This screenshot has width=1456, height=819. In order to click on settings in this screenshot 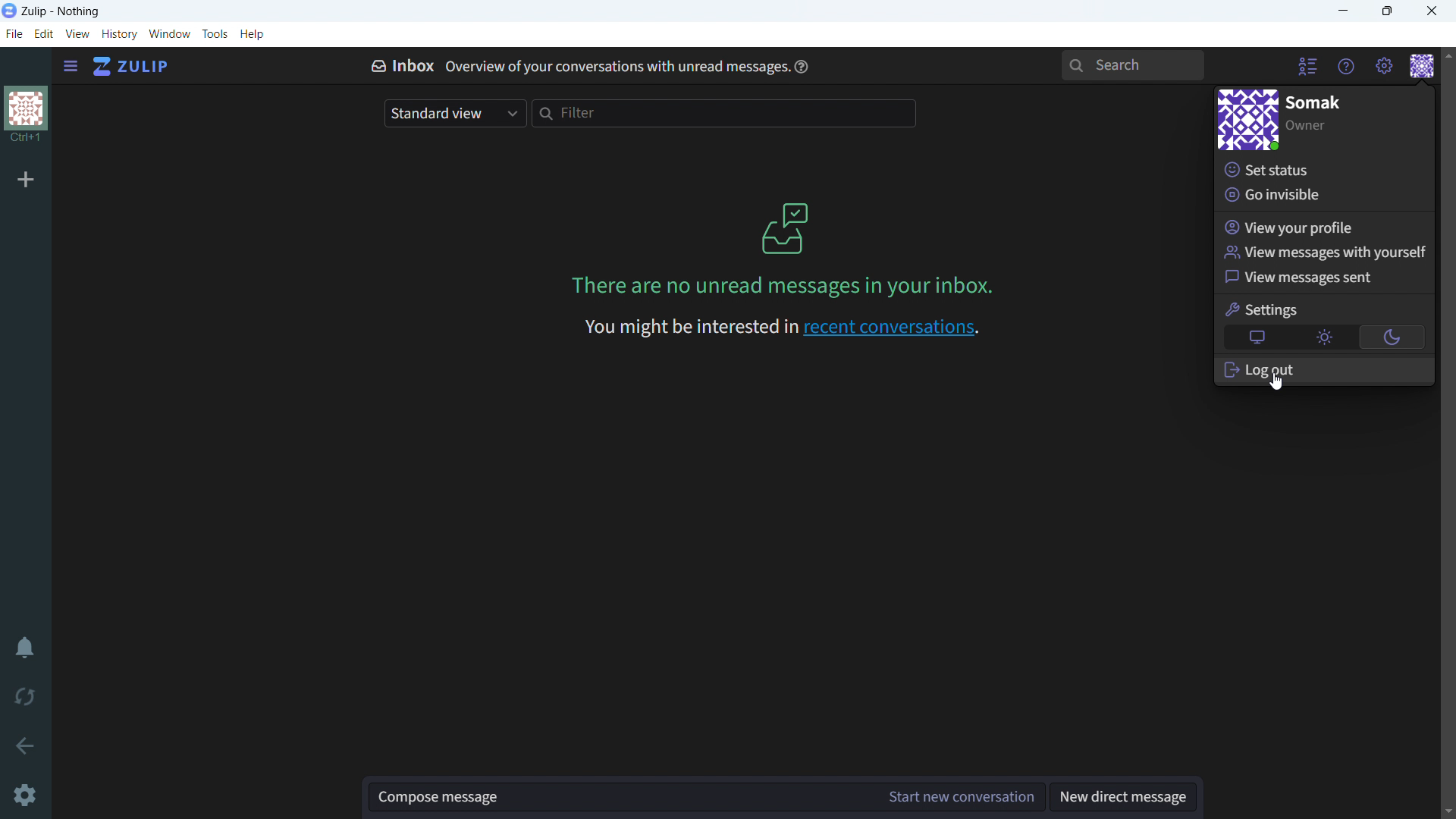, I will do `click(1263, 309)`.